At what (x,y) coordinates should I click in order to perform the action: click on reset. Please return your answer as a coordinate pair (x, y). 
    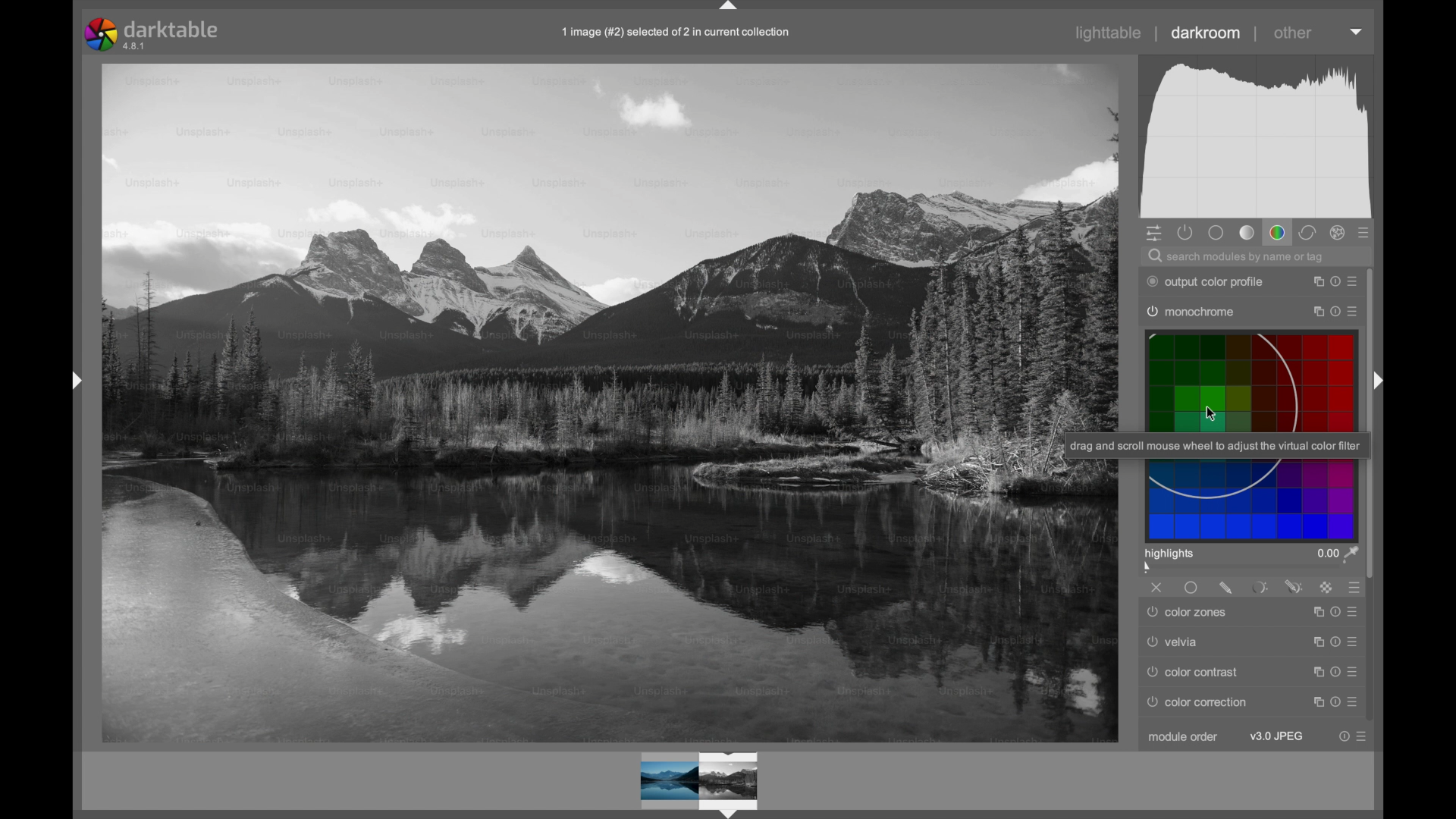
    Looking at the image, I should click on (1336, 613).